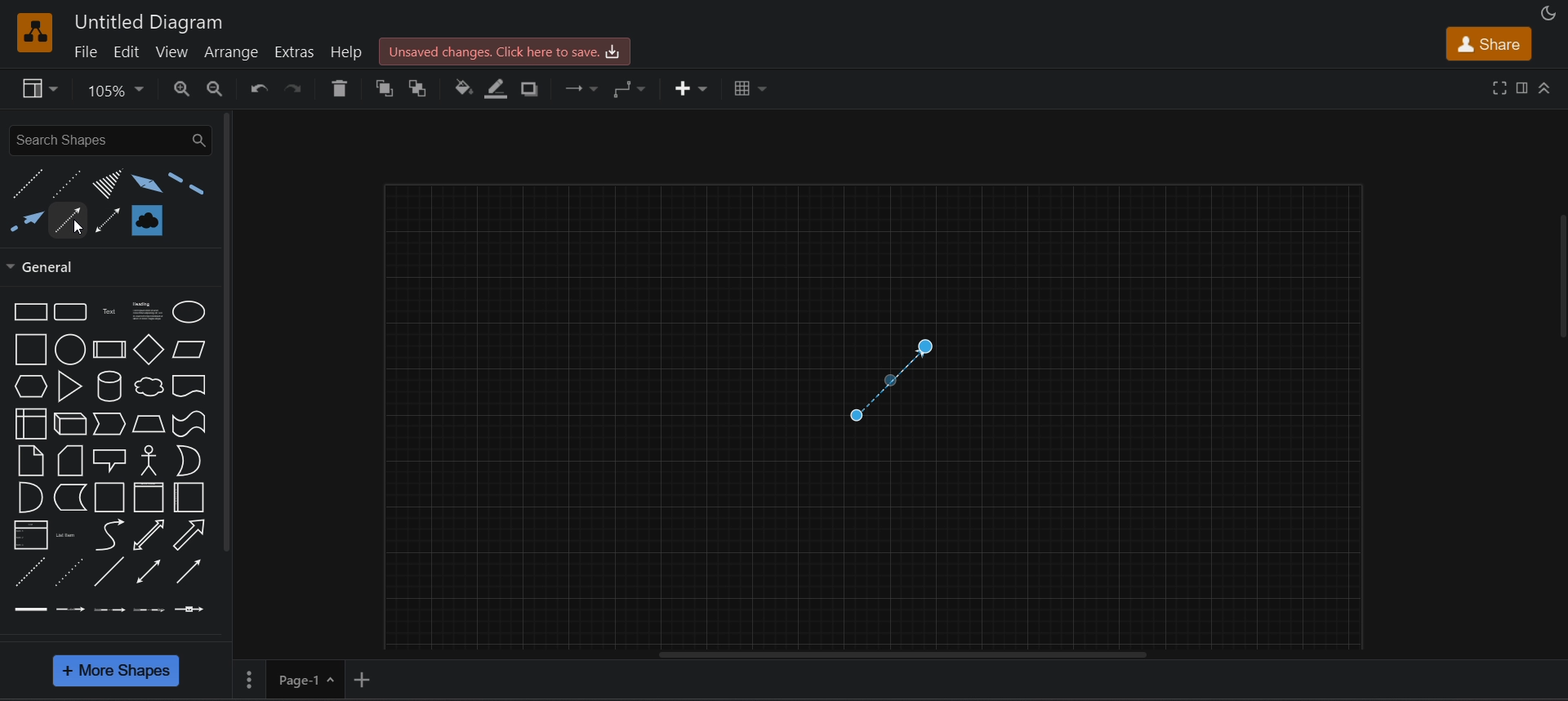  I want to click on dotted triangle, so click(104, 185).